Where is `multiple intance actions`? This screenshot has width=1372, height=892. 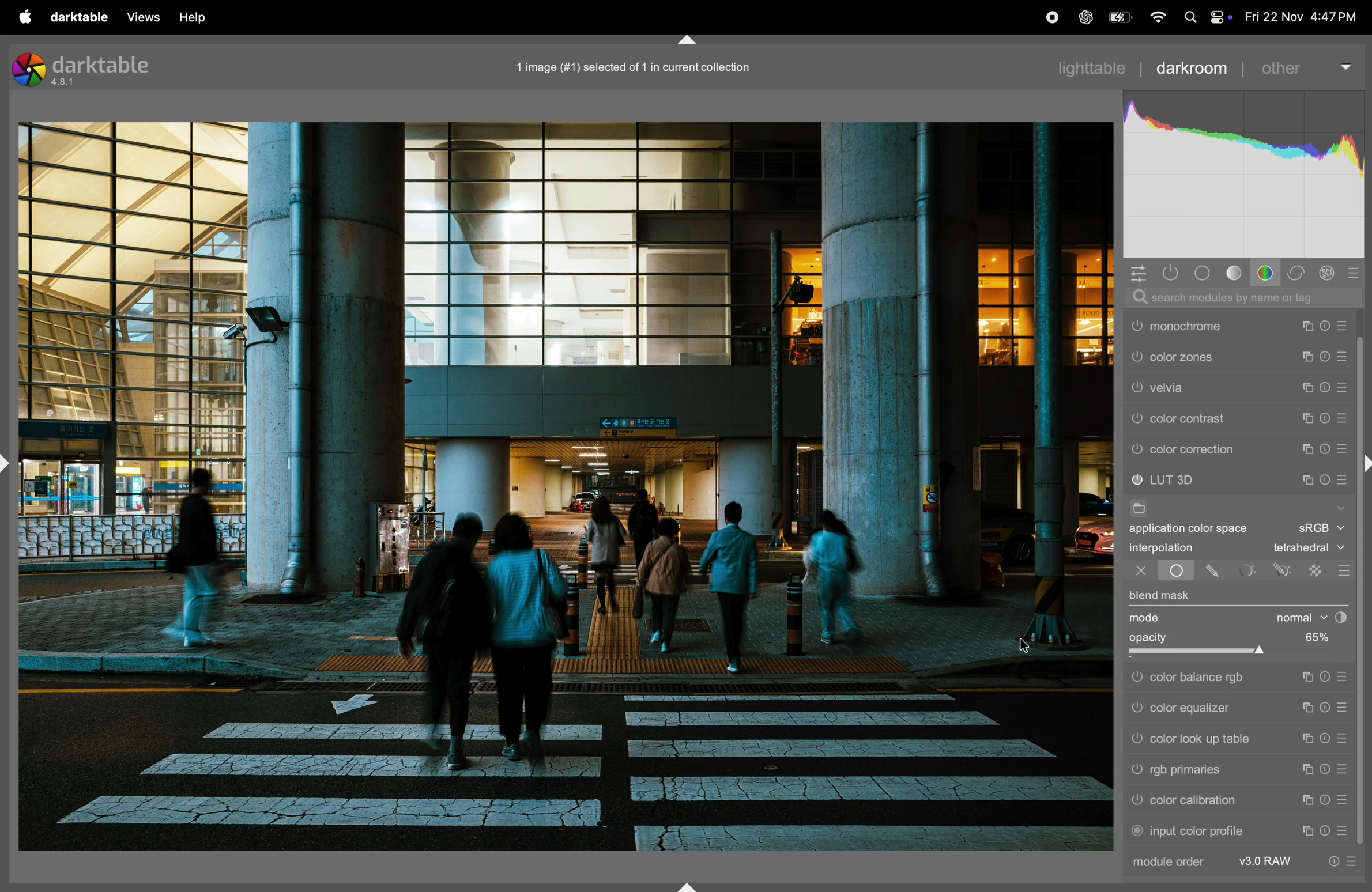
multiple intance actions is located at coordinates (1308, 385).